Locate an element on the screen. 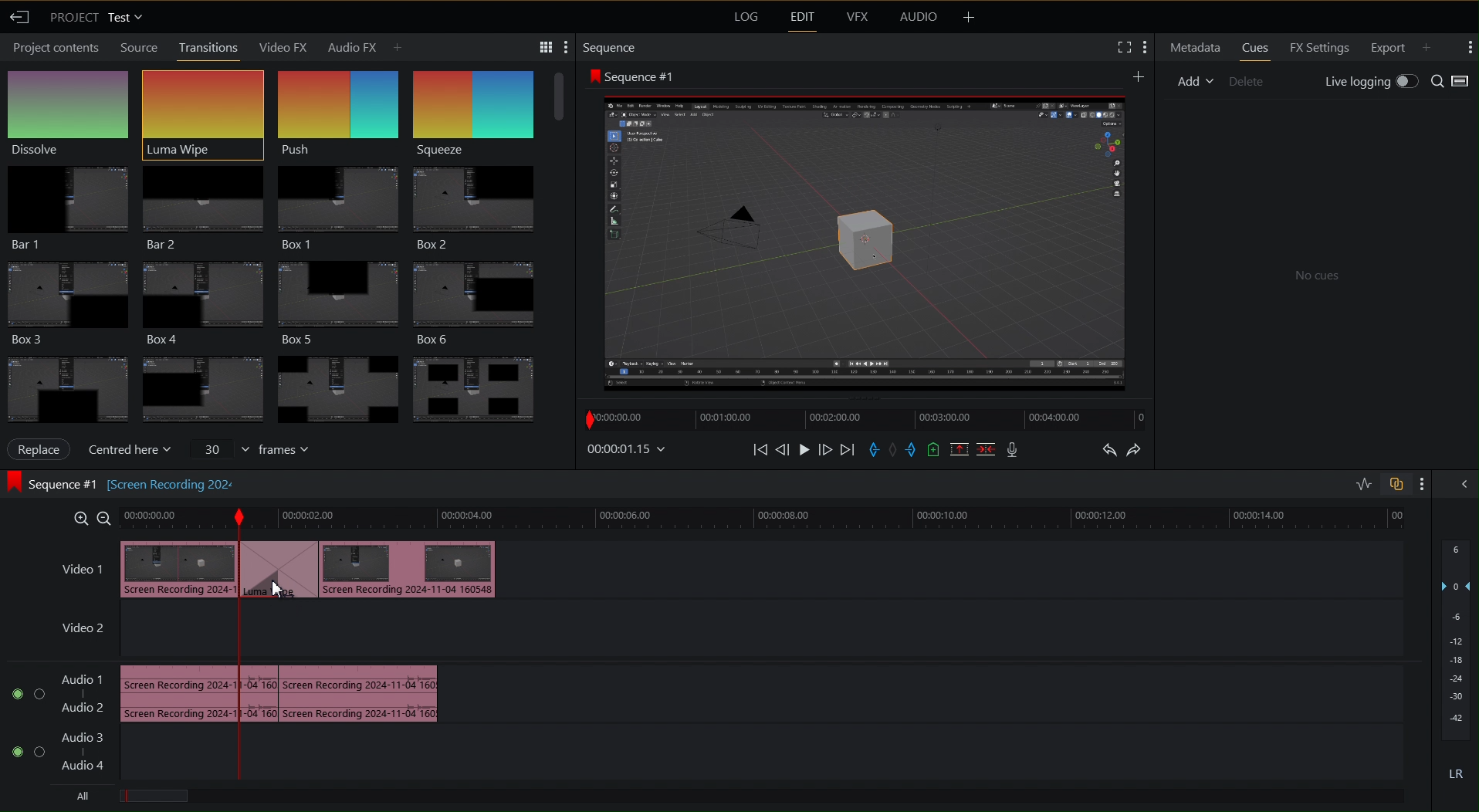  Cues is located at coordinates (1255, 48).